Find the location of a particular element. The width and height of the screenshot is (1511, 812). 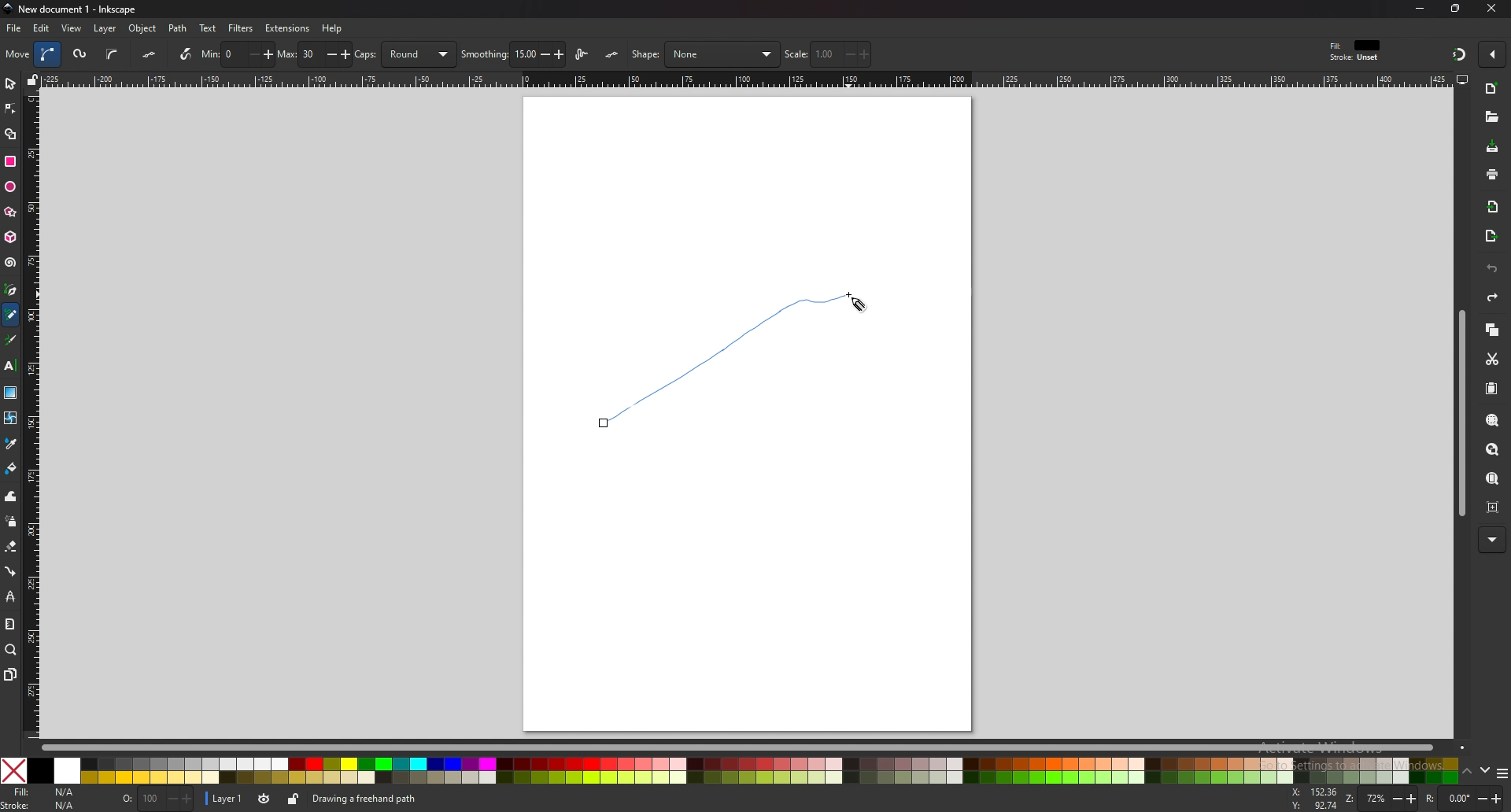

extensions is located at coordinates (288, 28).